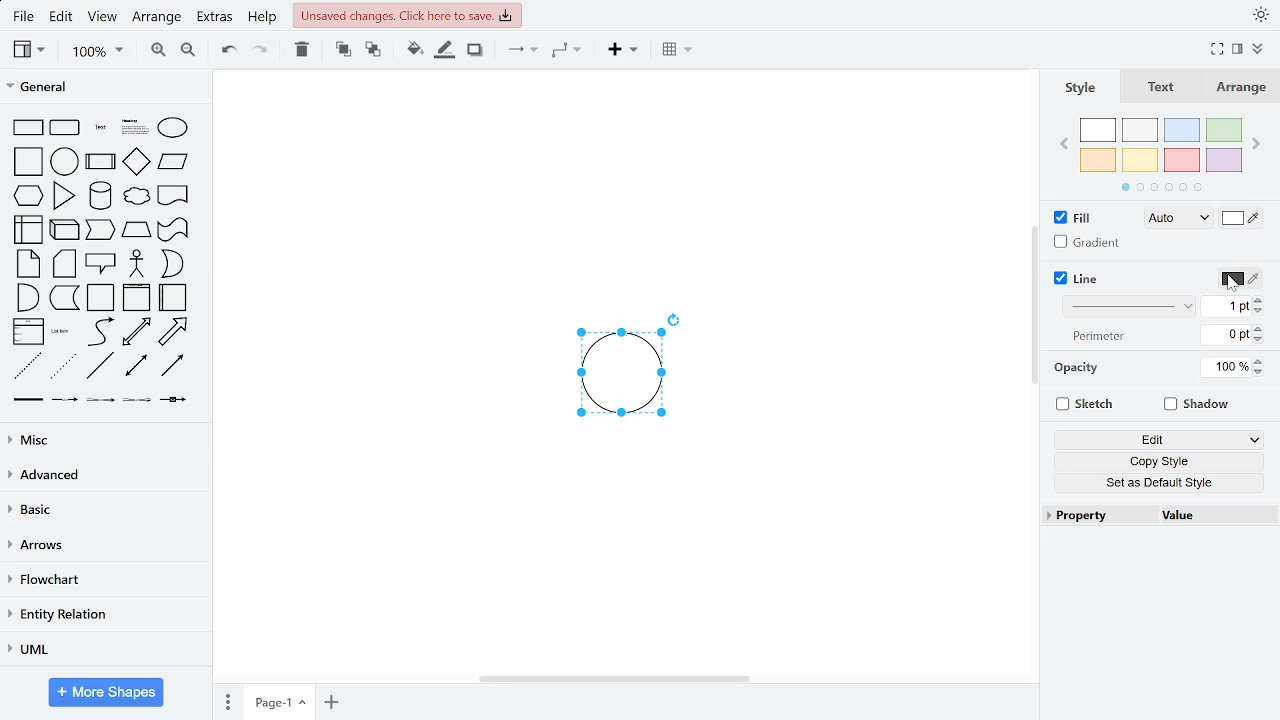 Image resolution: width=1280 pixels, height=720 pixels. Describe the element at coordinates (1130, 305) in the screenshot. I see `line style` at that location.